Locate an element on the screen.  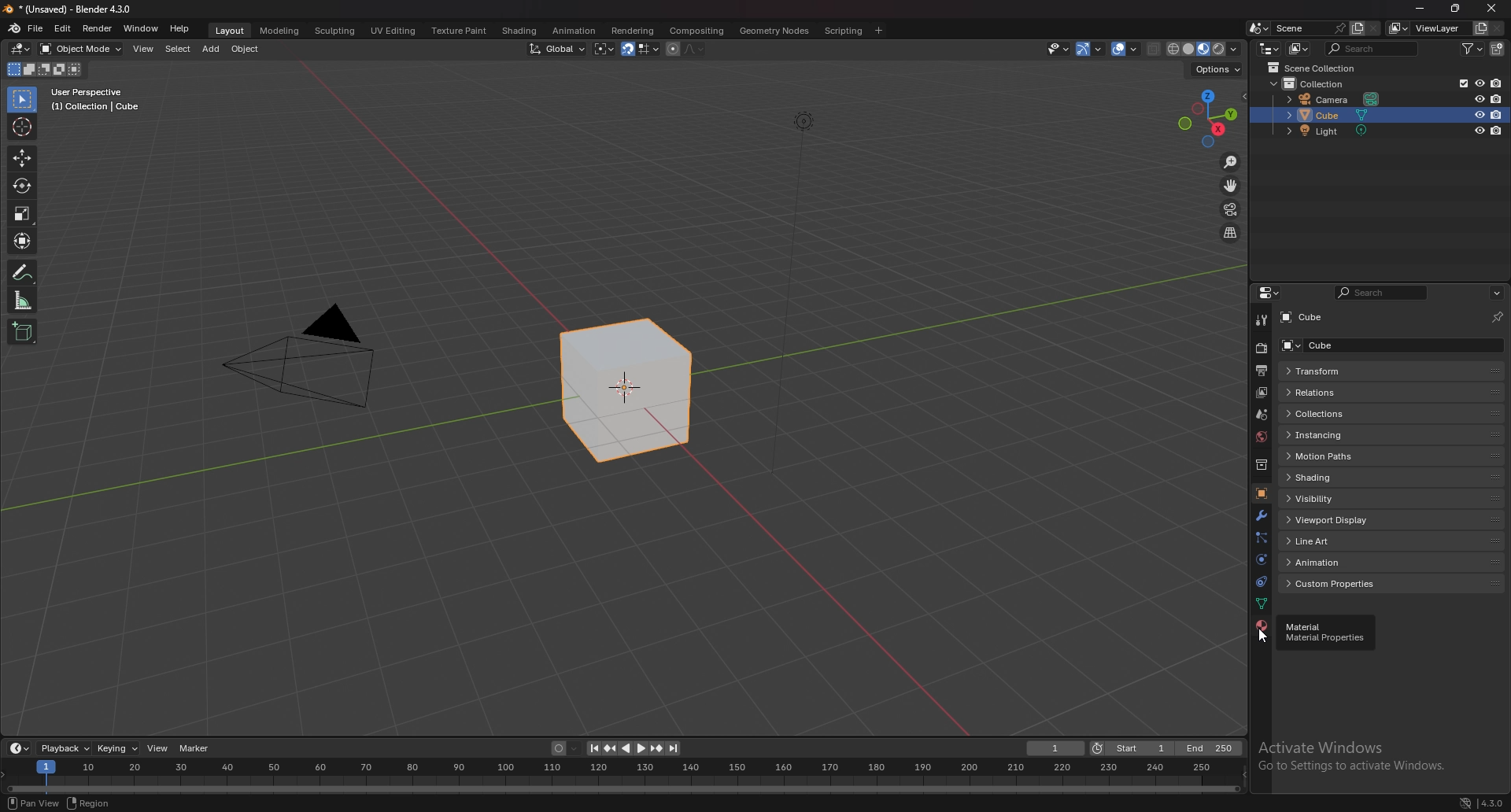
preset viewpoint is located at coordinates (1208, 118).